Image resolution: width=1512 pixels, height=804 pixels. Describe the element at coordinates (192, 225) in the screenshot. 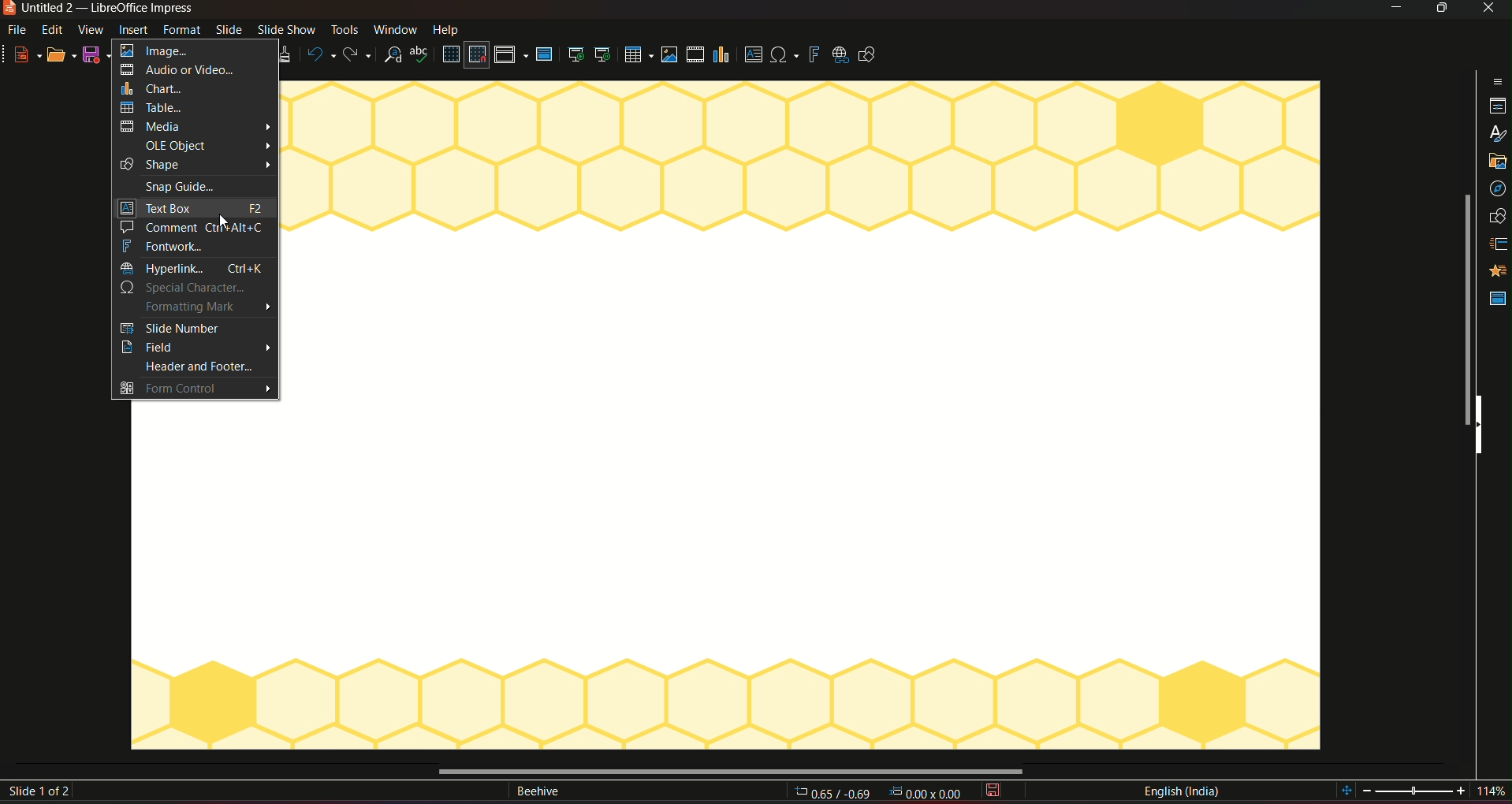

I see `comment         Ctrl` at that location.